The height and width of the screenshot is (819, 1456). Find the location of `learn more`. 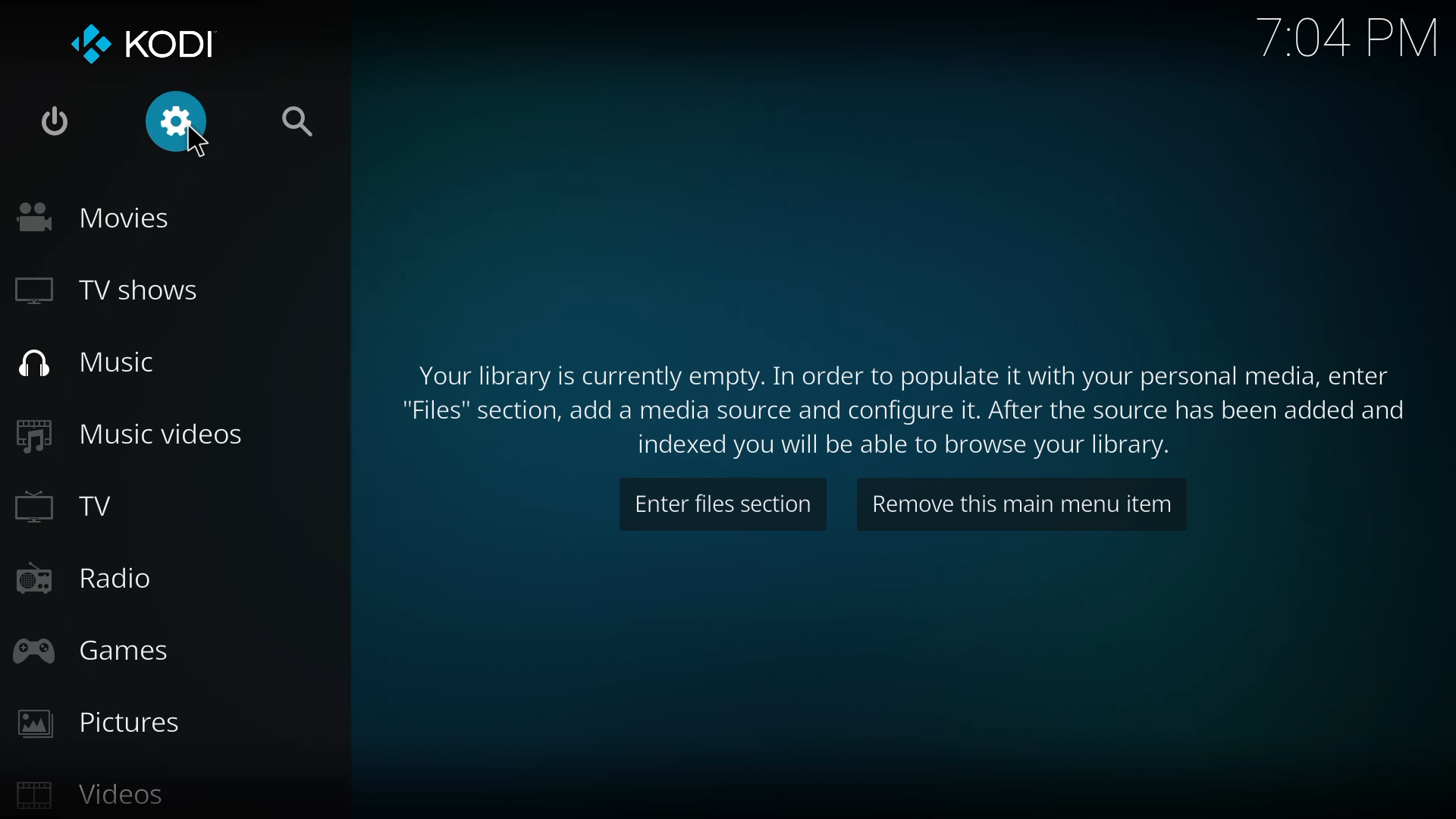

learn more is located at coordinates (908, 407).